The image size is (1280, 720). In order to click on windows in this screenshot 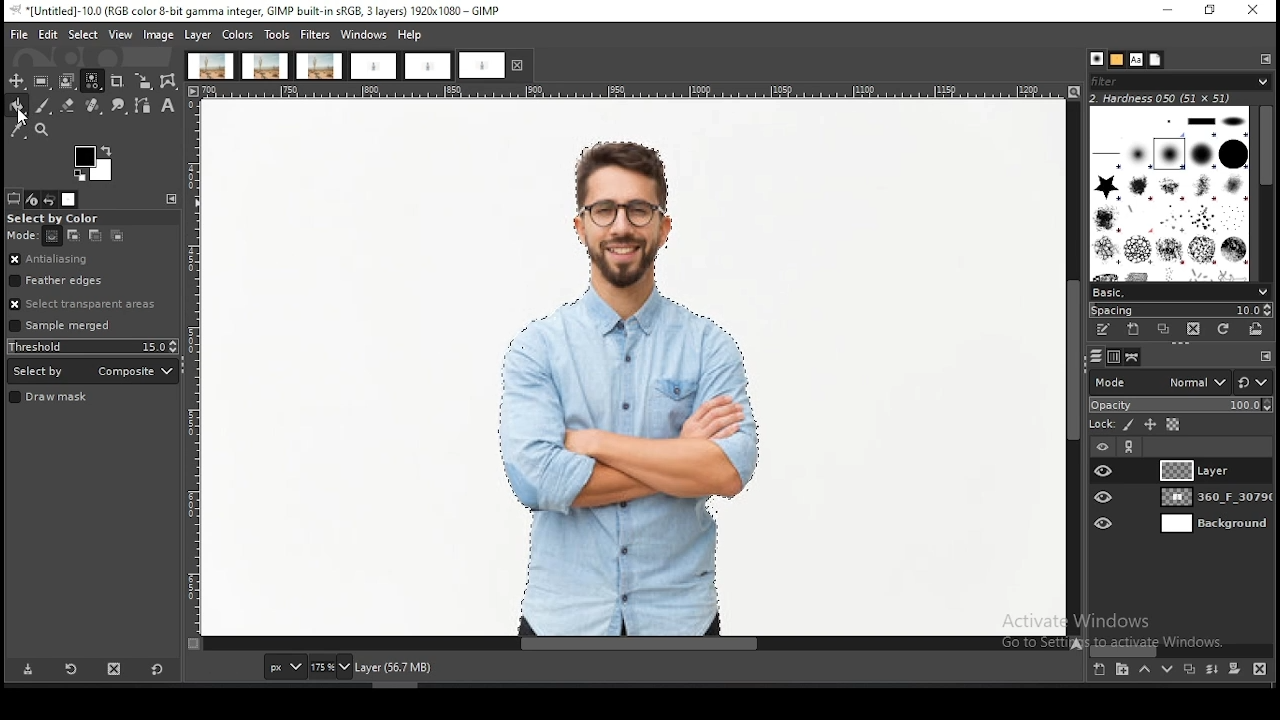, I will do `click(364, 35)`.